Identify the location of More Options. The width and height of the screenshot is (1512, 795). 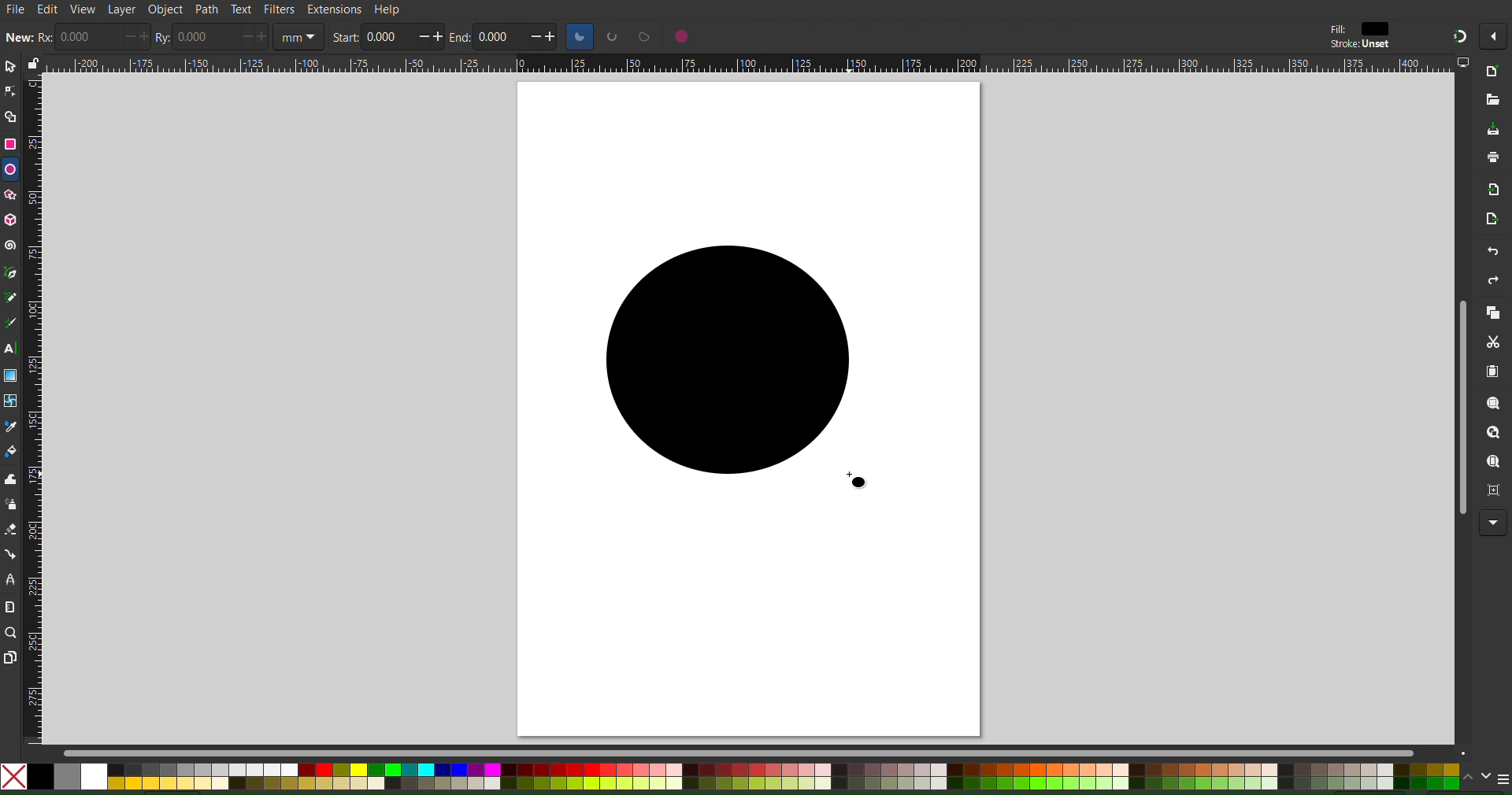
(1493, 523).